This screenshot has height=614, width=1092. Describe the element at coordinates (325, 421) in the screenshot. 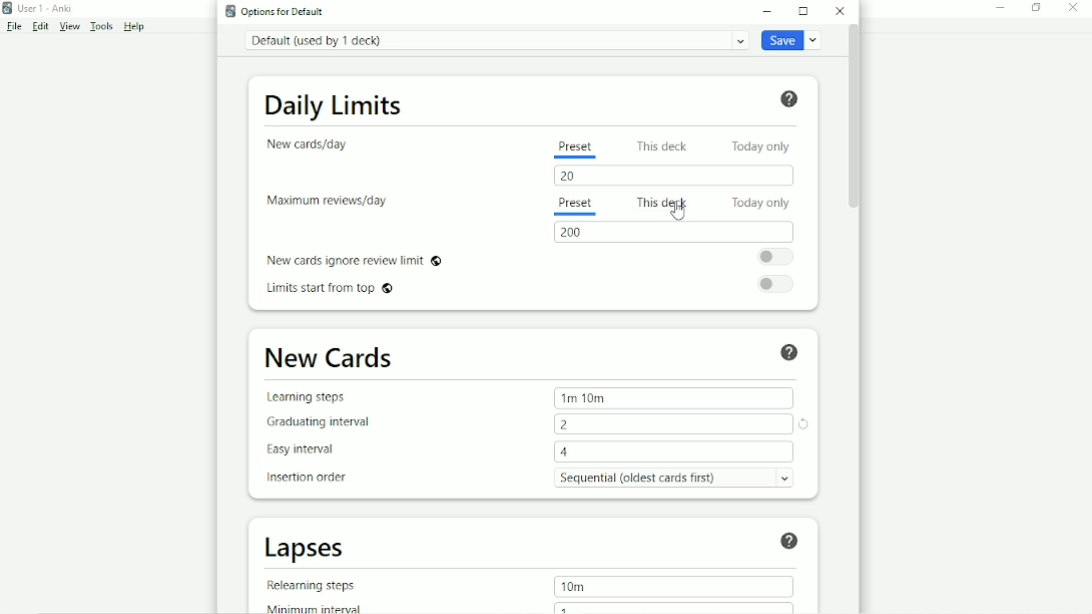

I see `Graduating interval` at that location.